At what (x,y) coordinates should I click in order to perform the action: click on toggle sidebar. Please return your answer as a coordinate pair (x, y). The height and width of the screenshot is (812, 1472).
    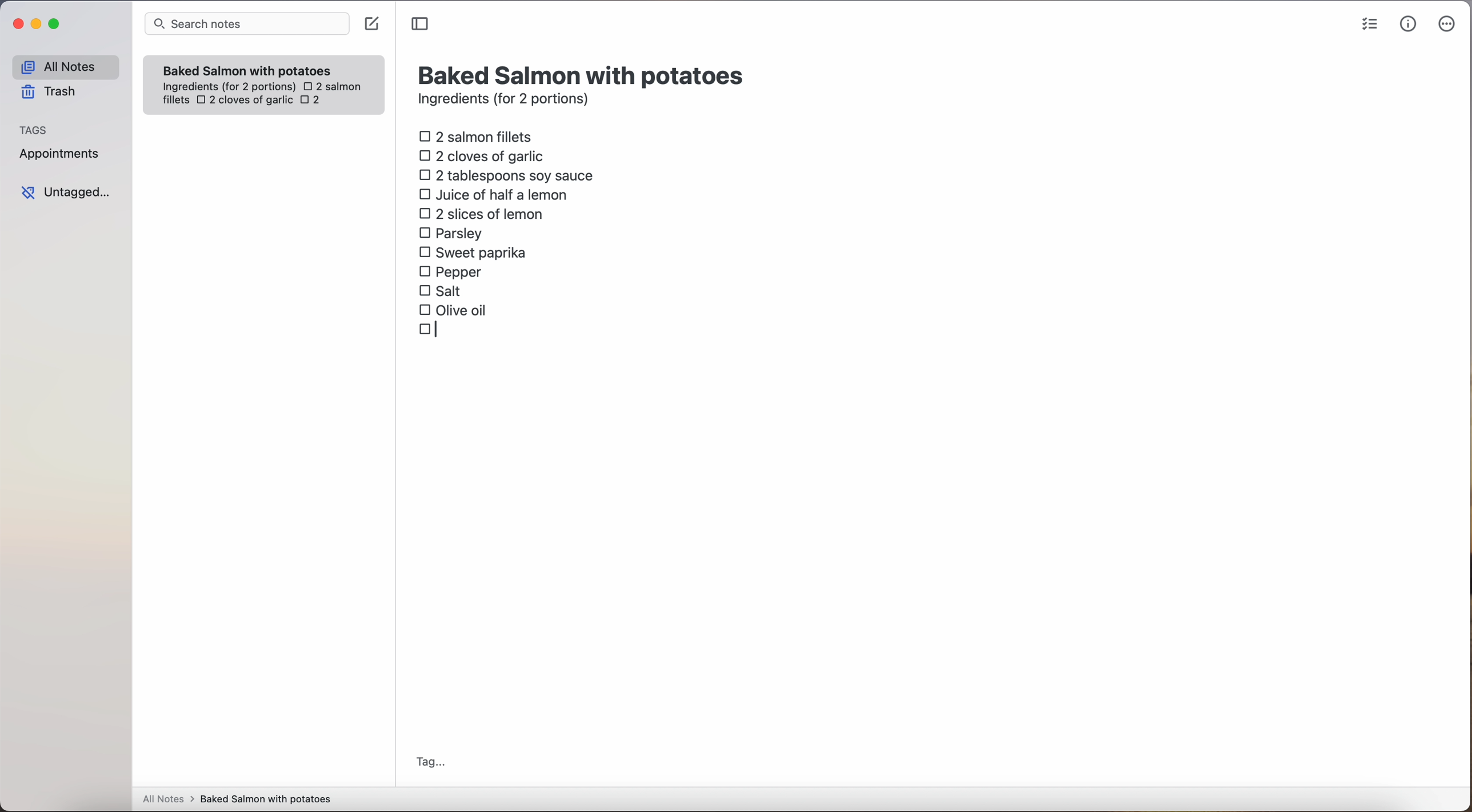
    Looking at the image, I should click on (421, 25).